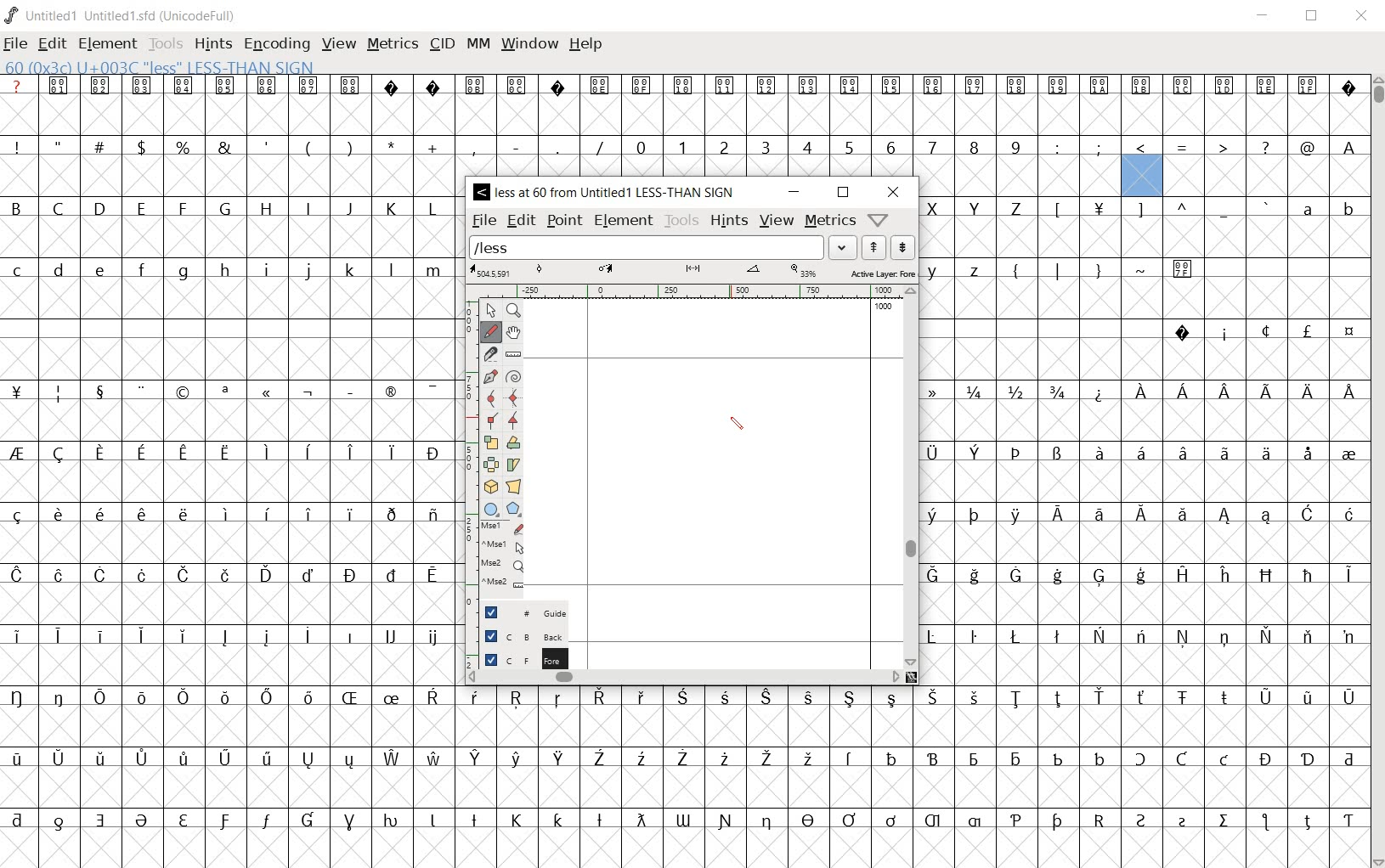 This screenshot has height=868, width=1385. What do you see at coordinates (879, 218) in the screenshot?
I see `help/window` at bounding box center [879, 218].